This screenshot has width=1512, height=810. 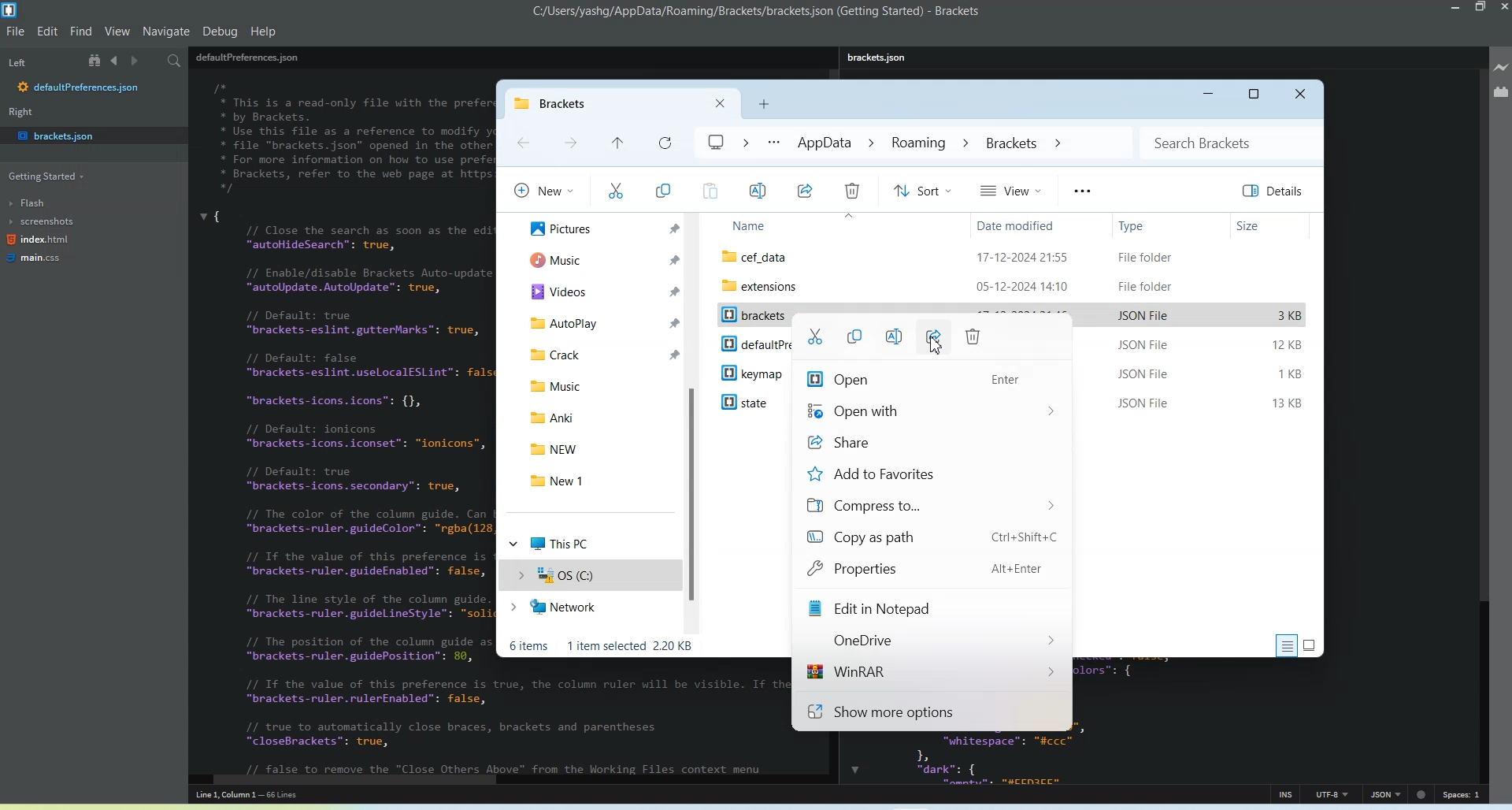 I want to click on Music, so click(x=598, y=259).